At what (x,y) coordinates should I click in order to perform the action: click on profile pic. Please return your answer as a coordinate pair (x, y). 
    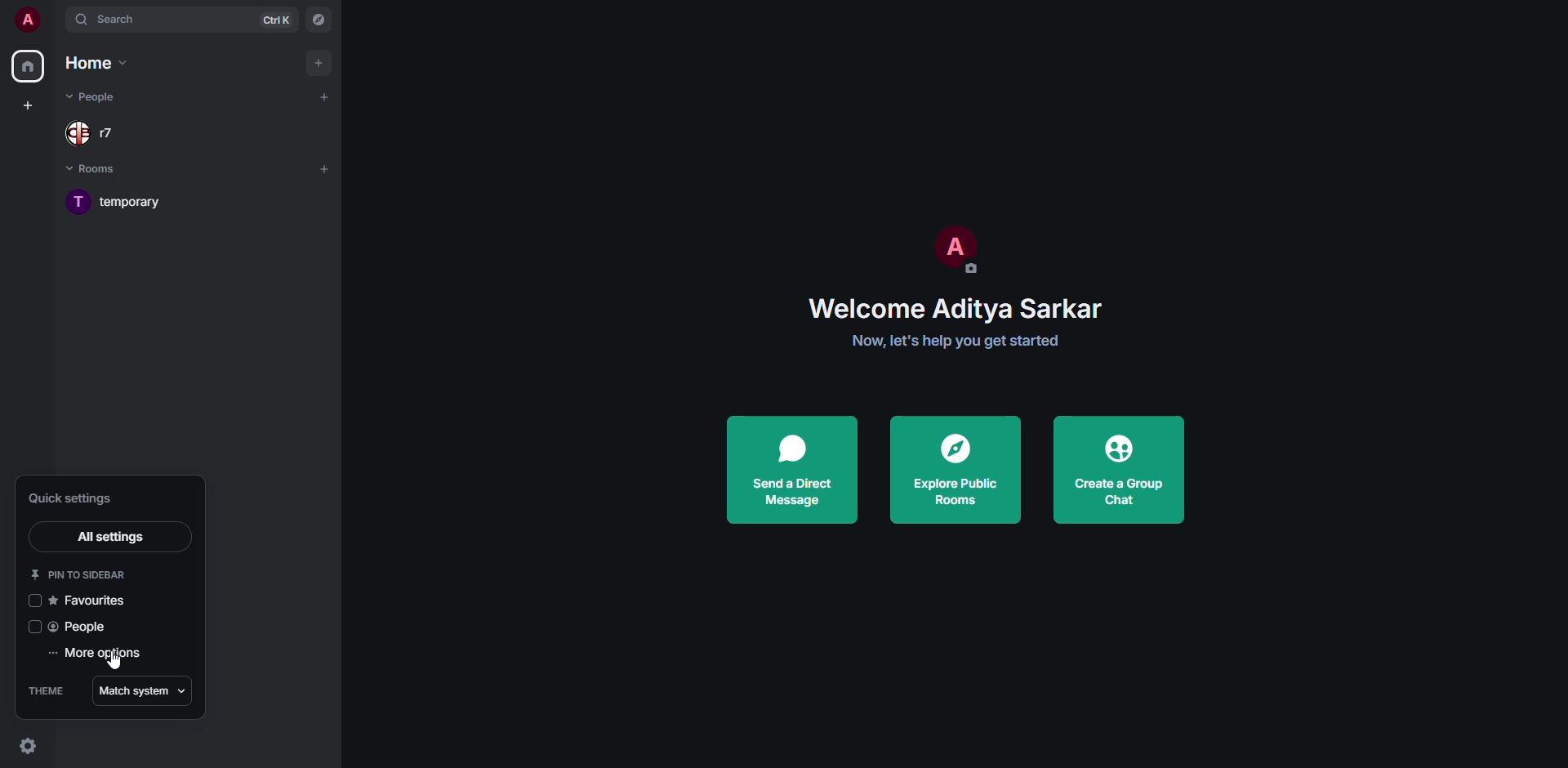
    Looking at the image, I should click on (955, 248).